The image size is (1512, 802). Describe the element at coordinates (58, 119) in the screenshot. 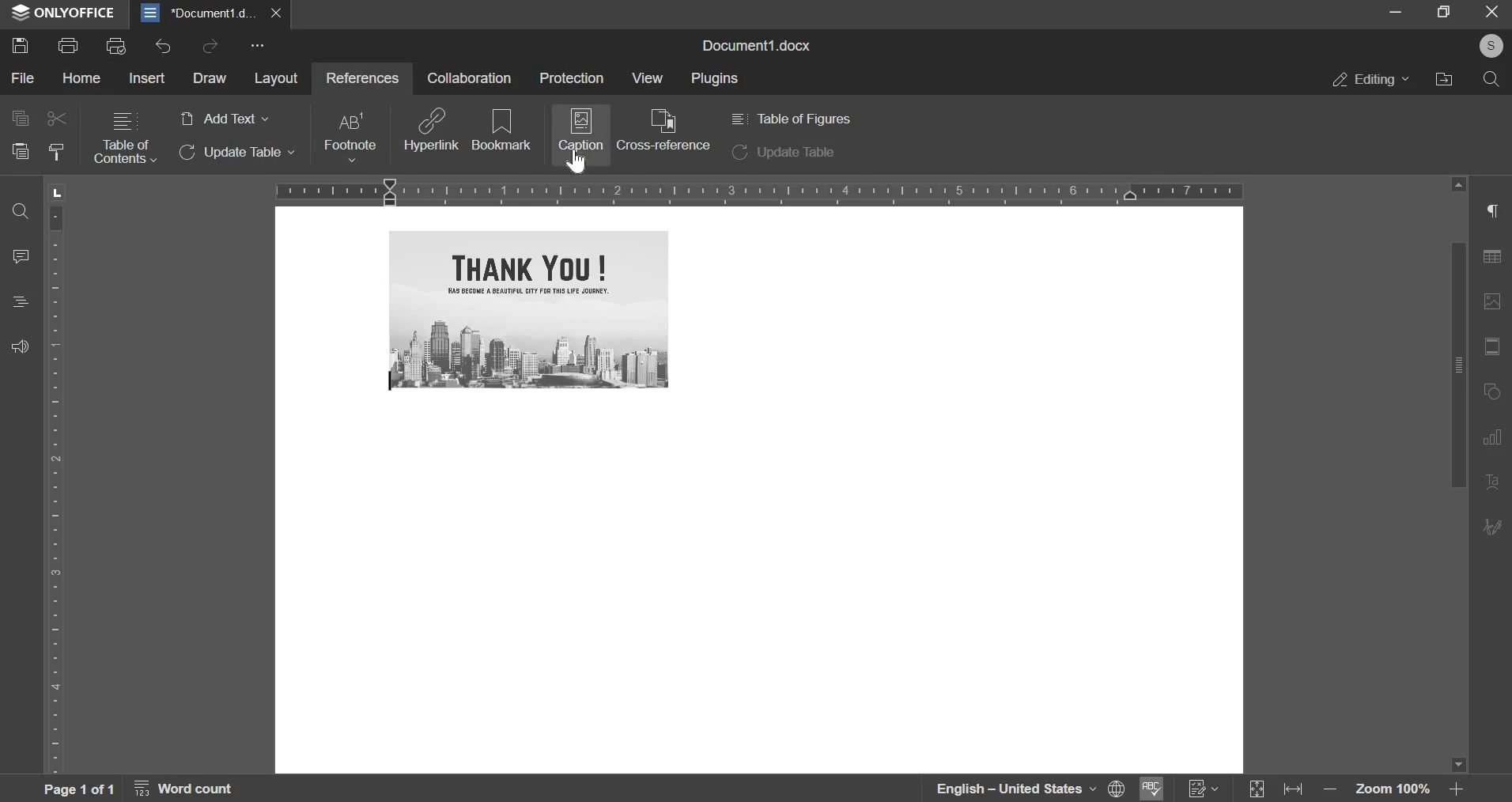

I see `cut` at that location.